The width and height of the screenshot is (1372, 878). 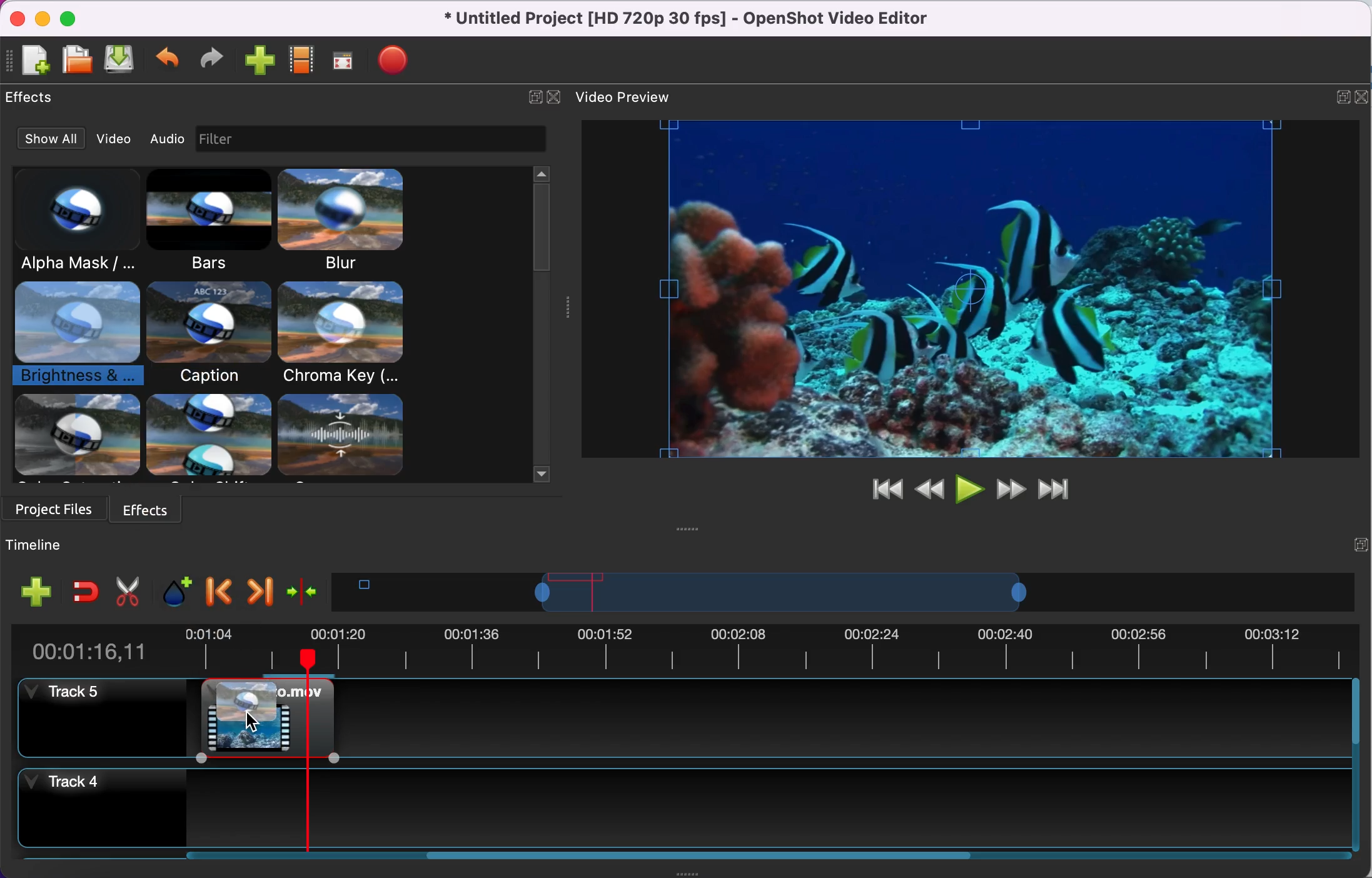 I want to click on cursor, so click(x=253, y=722).